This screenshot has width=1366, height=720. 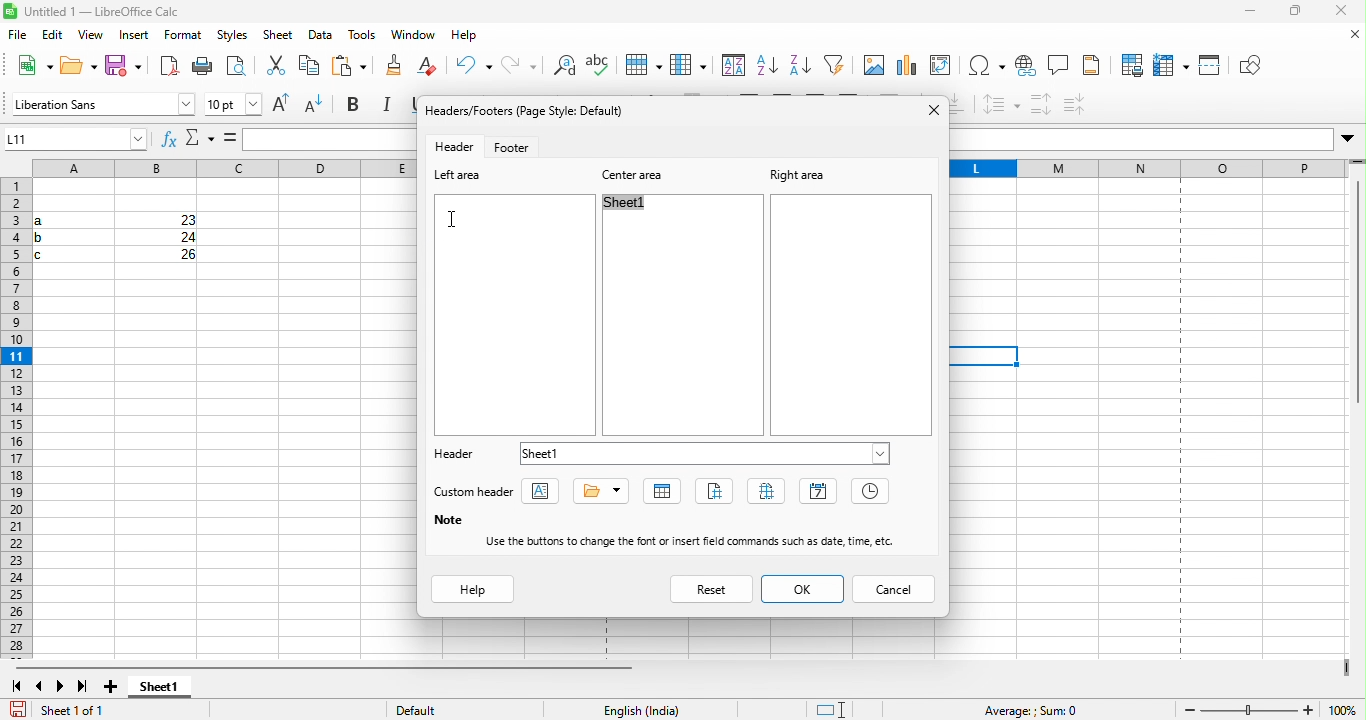 I want to click on sheet name, so click(x=659, y=490).